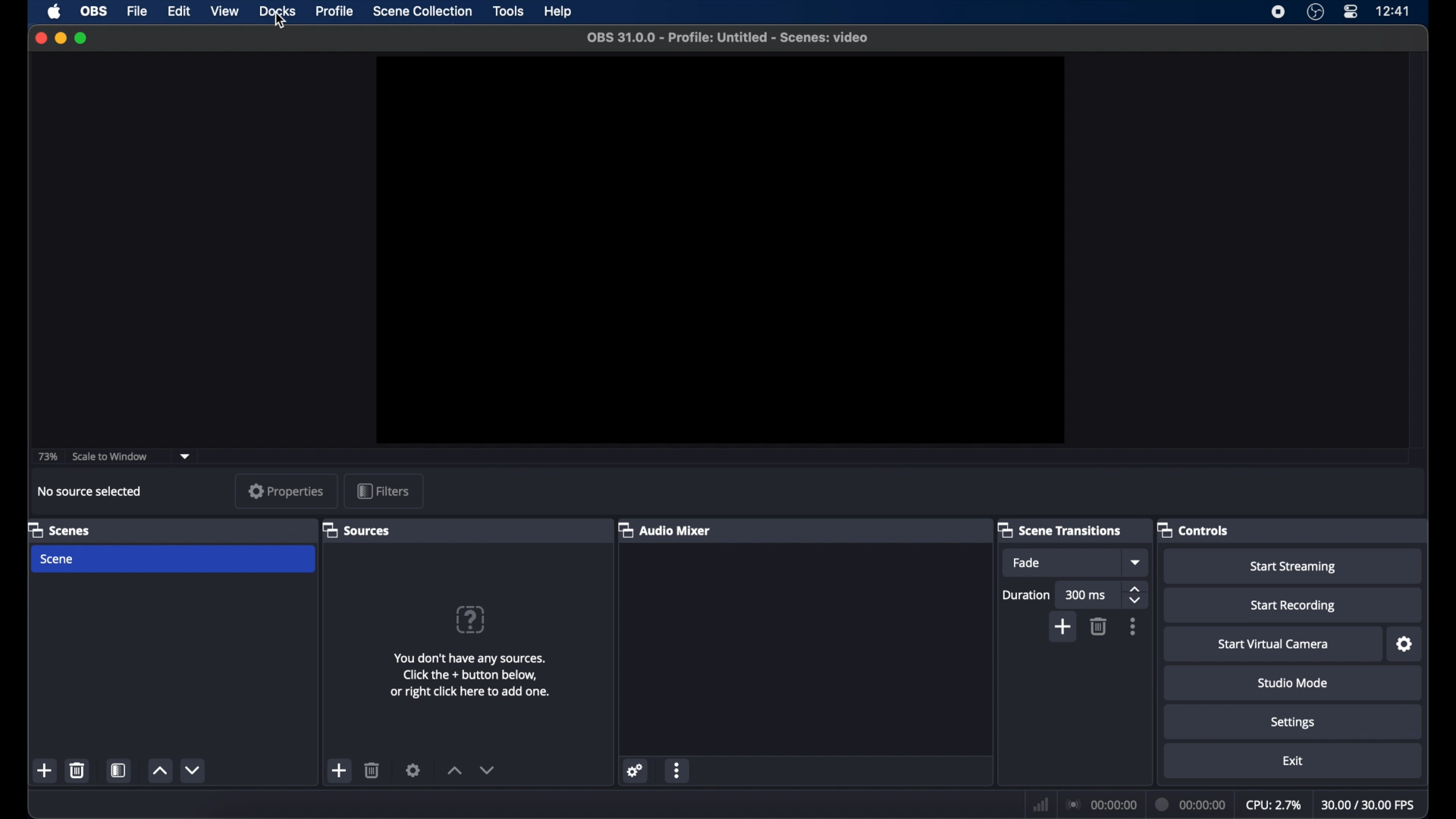 The width and height of the screenshot is (1456, 819). I want to click on decrement, so click(194, 770).